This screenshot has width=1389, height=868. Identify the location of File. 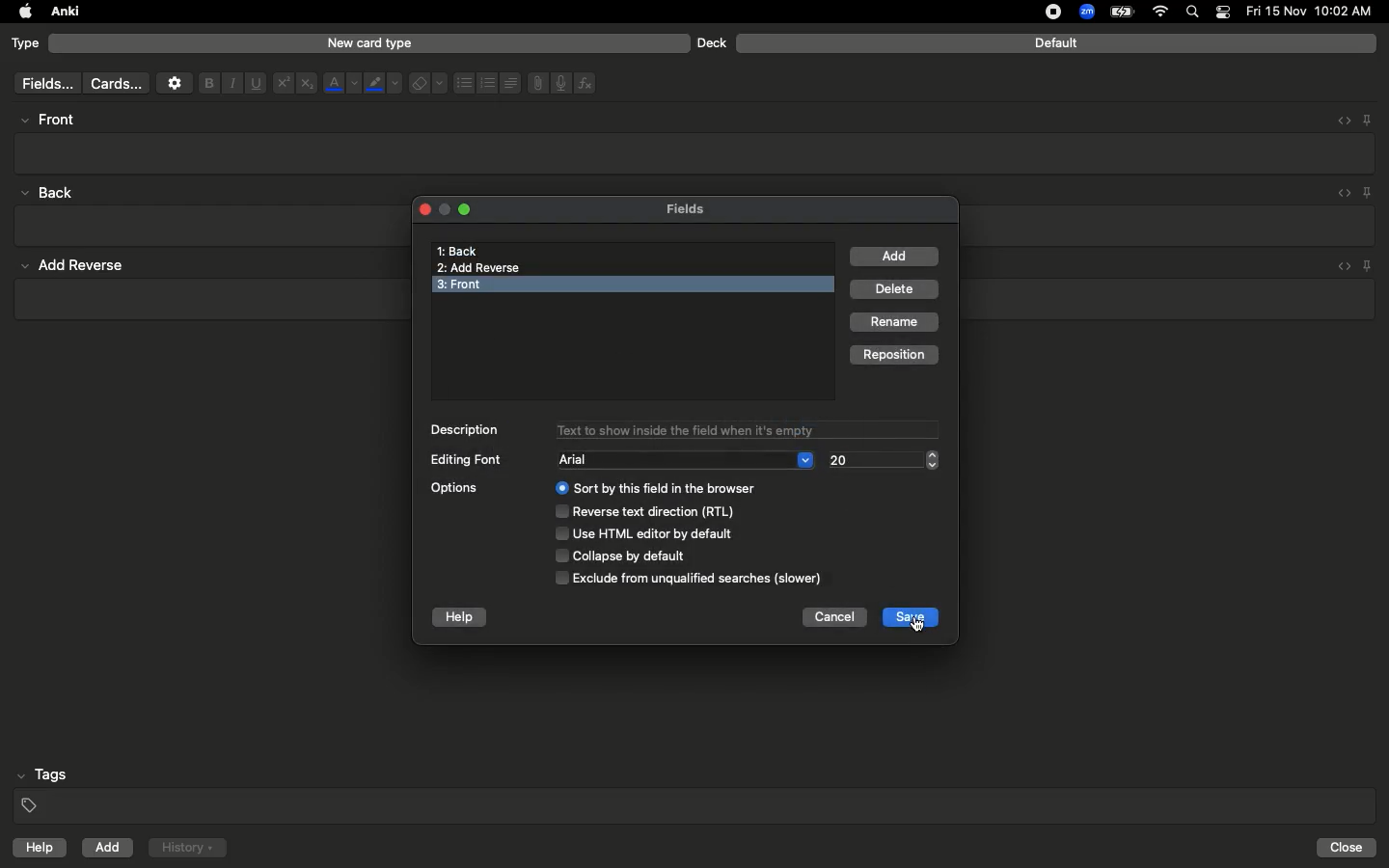
(534, 83).